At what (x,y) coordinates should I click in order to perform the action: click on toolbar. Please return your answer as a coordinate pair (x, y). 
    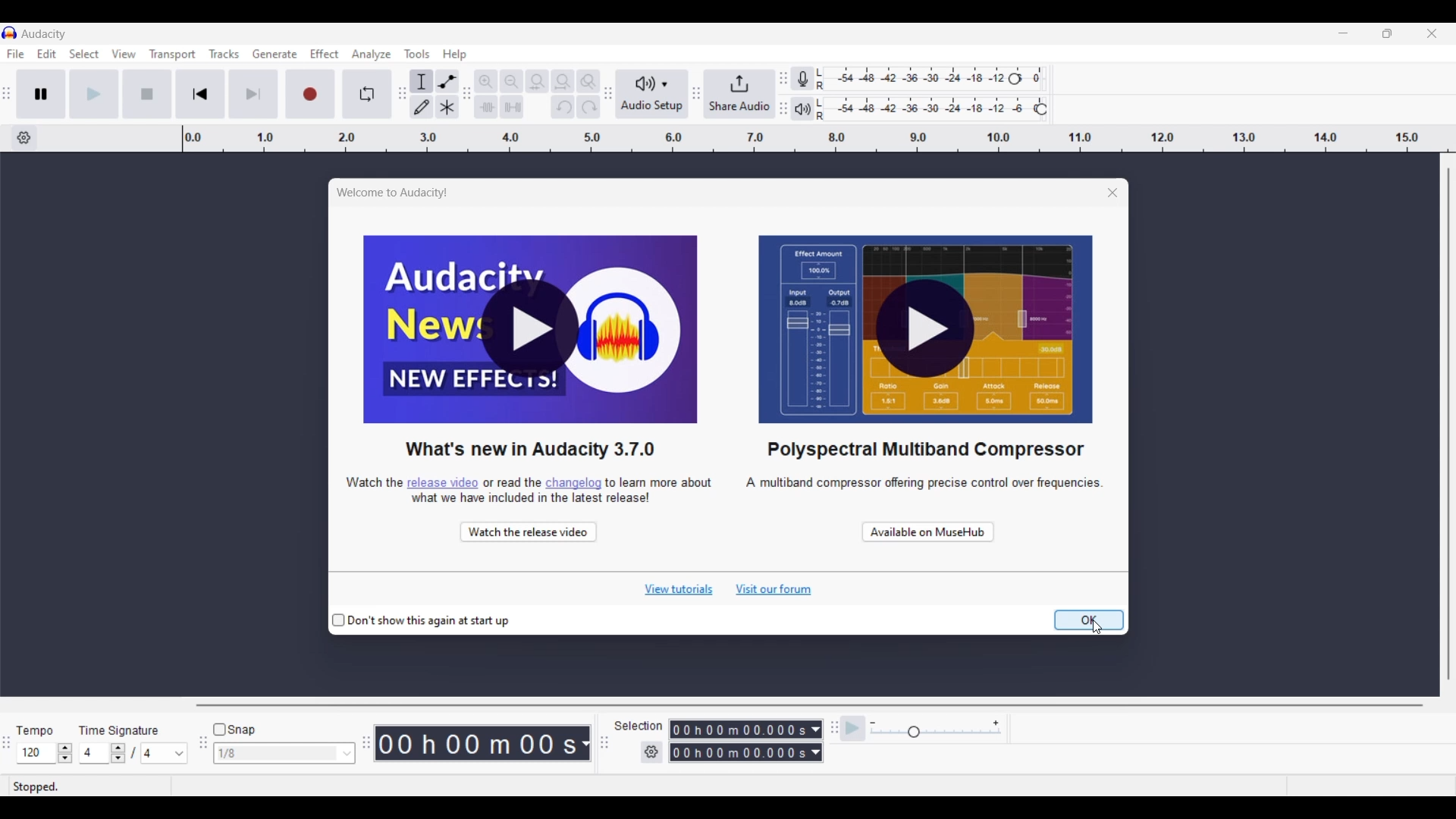
    Looking at the image, I should click on (831, 735).